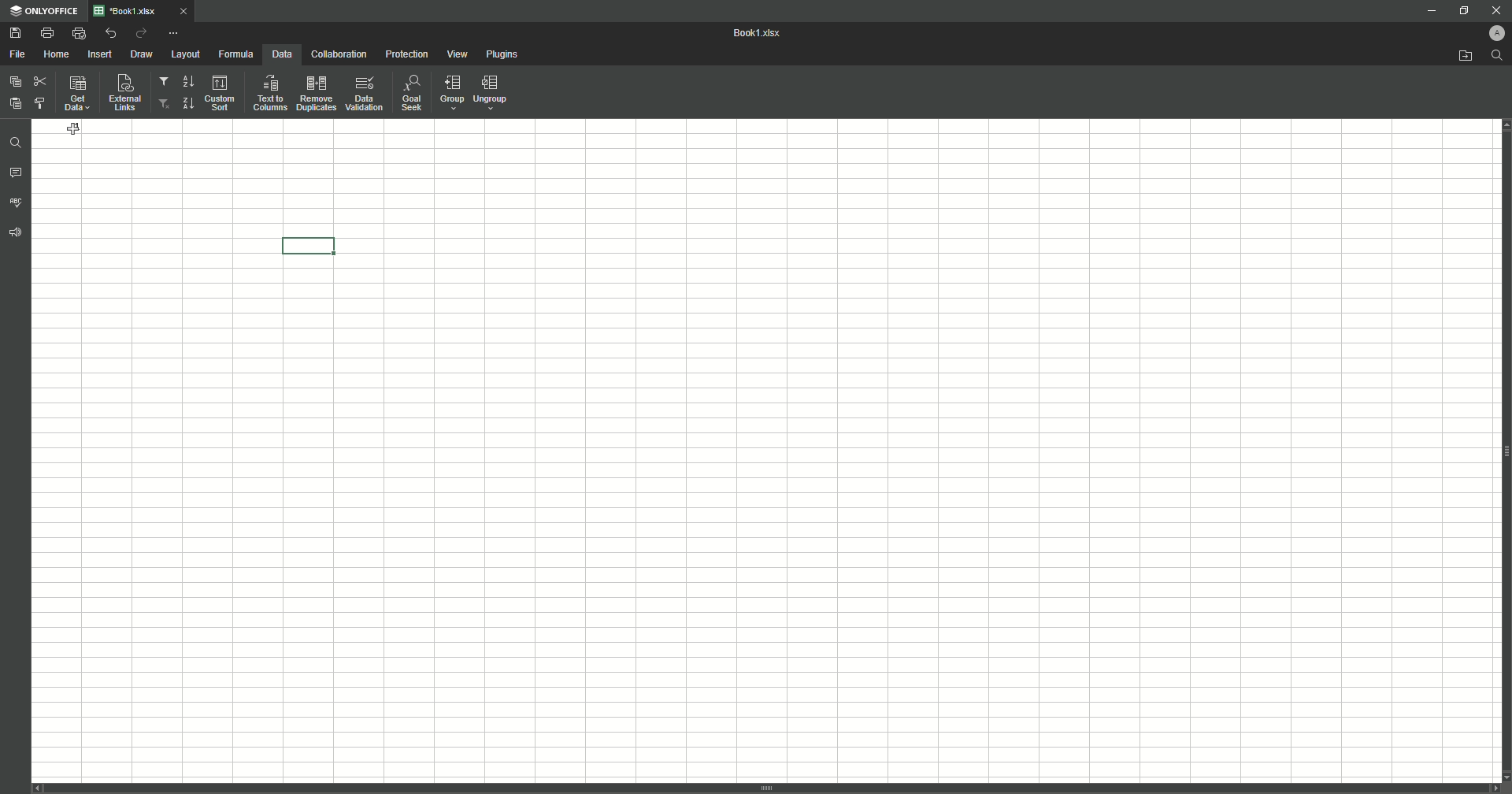  Describe the element at coordinates (45, 11) in the screenshot. I see `ONLYOFFICE` at that location.